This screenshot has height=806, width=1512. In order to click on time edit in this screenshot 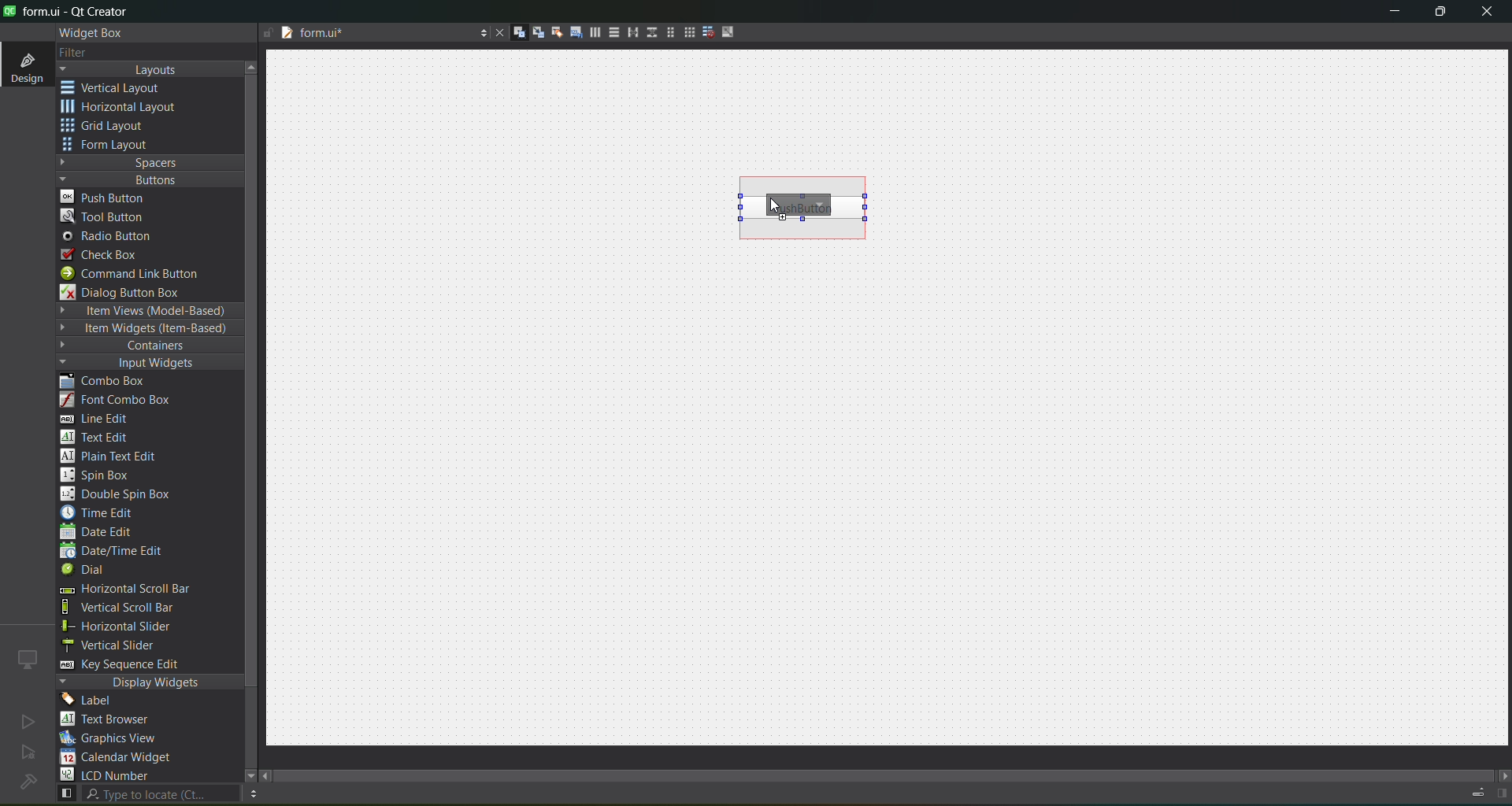, I will do `click(102, 512)`.